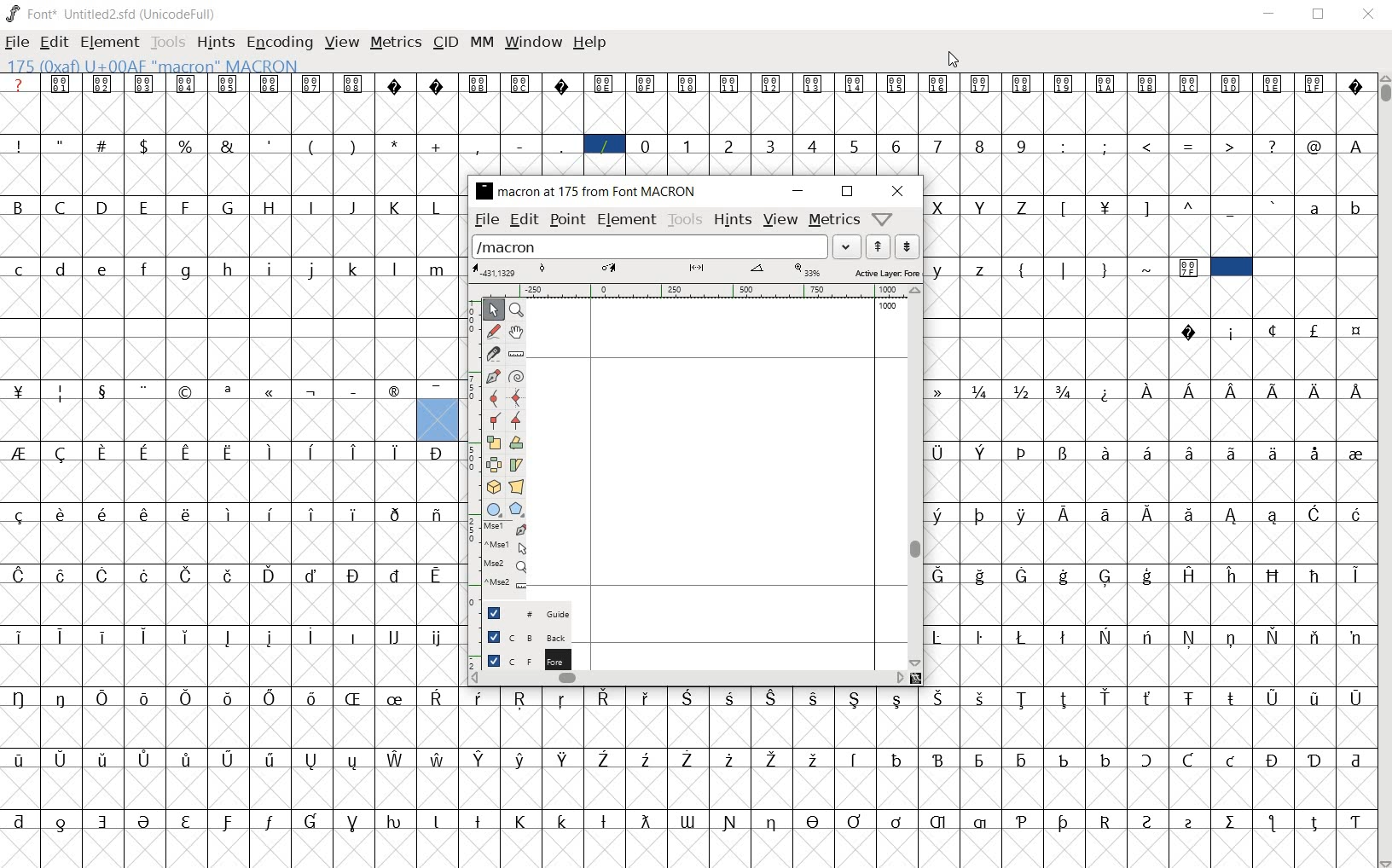  Describe the element at coordinates (937, 819) in the screenshot. I see `Symbol` at that location.